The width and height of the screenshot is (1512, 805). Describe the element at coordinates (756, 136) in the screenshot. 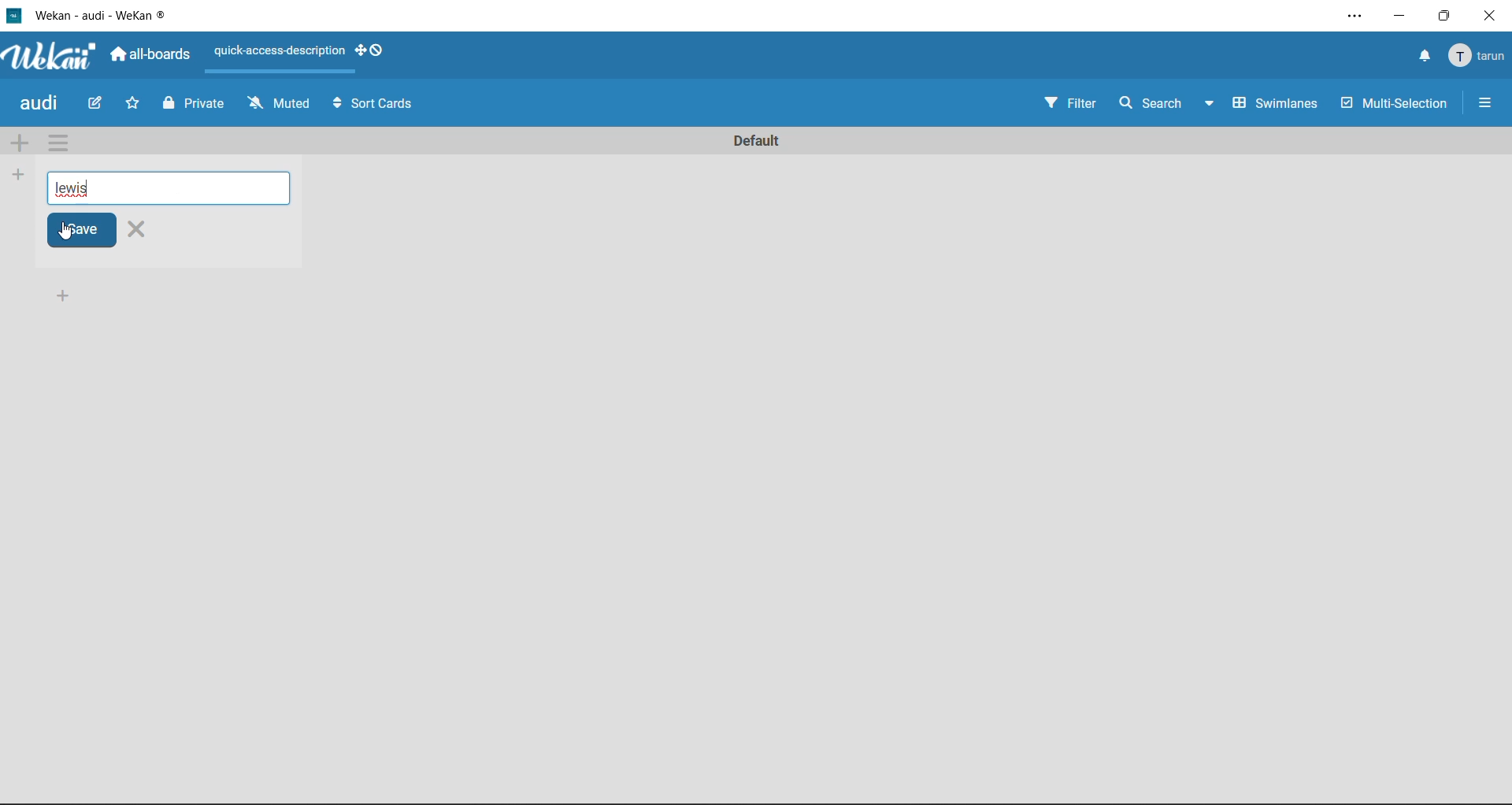

I see `Default` at that location.